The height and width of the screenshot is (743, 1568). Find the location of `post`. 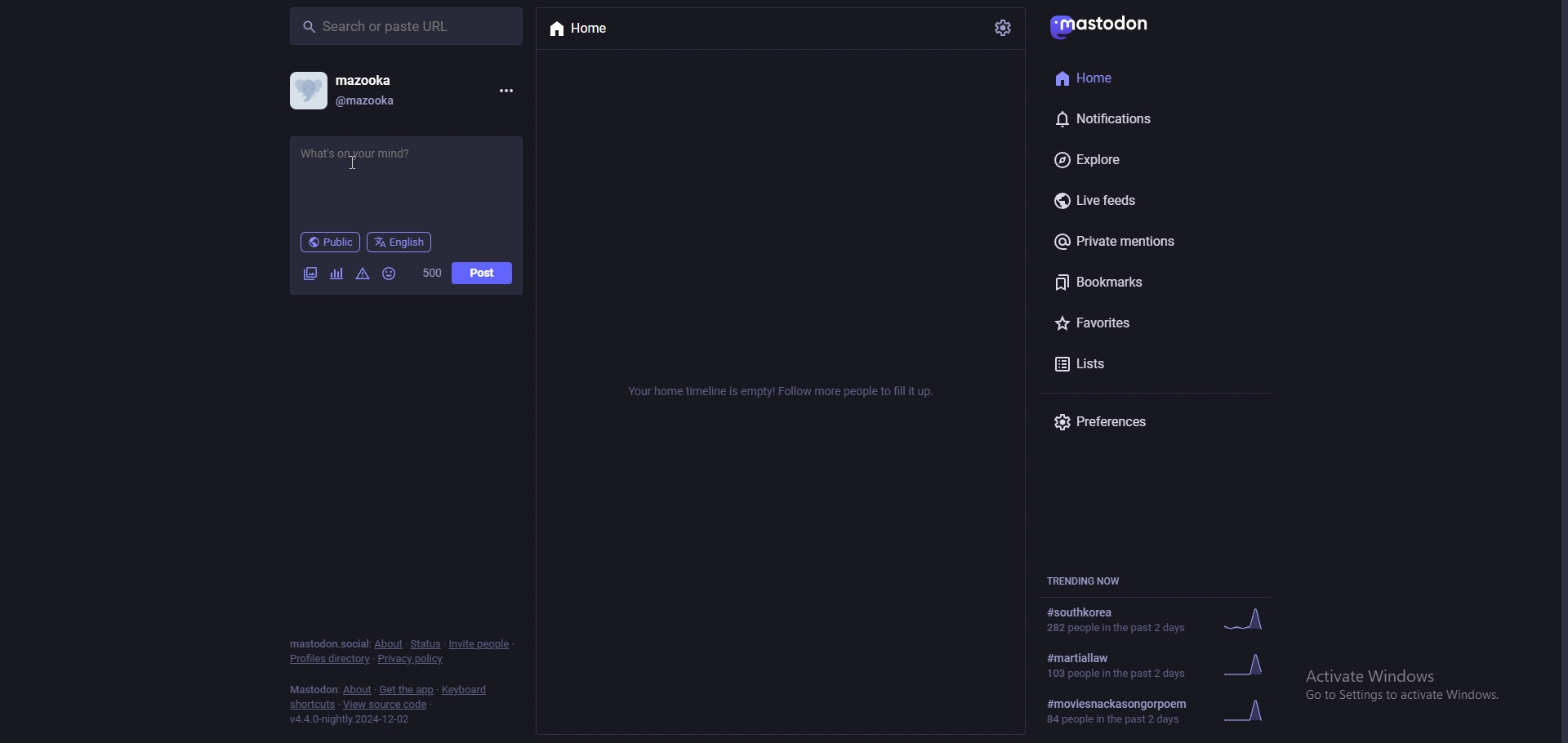

post is located at coordinates (483, 274).